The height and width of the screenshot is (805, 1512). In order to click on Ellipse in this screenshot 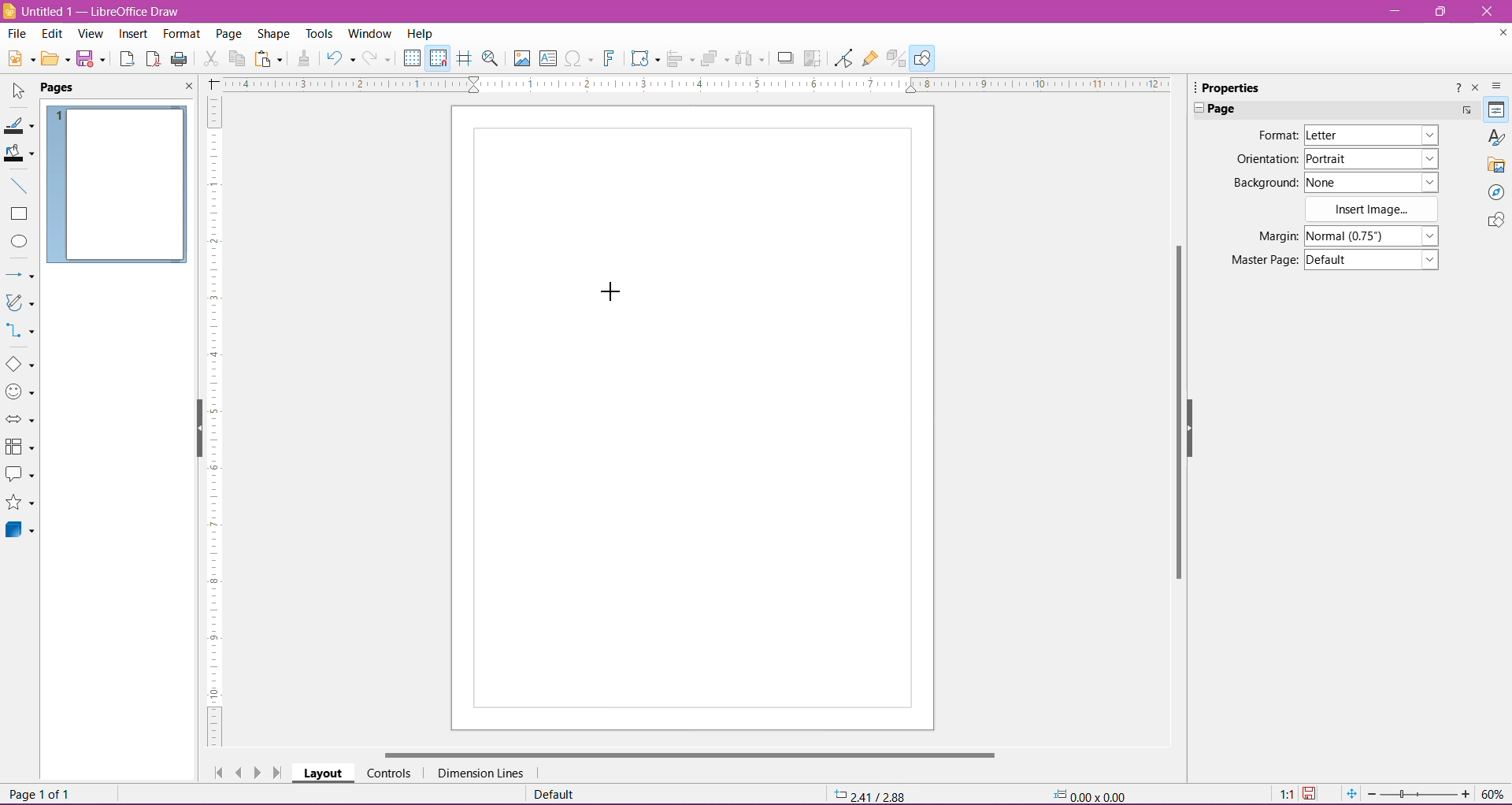, I will do `click(18, 242)`.